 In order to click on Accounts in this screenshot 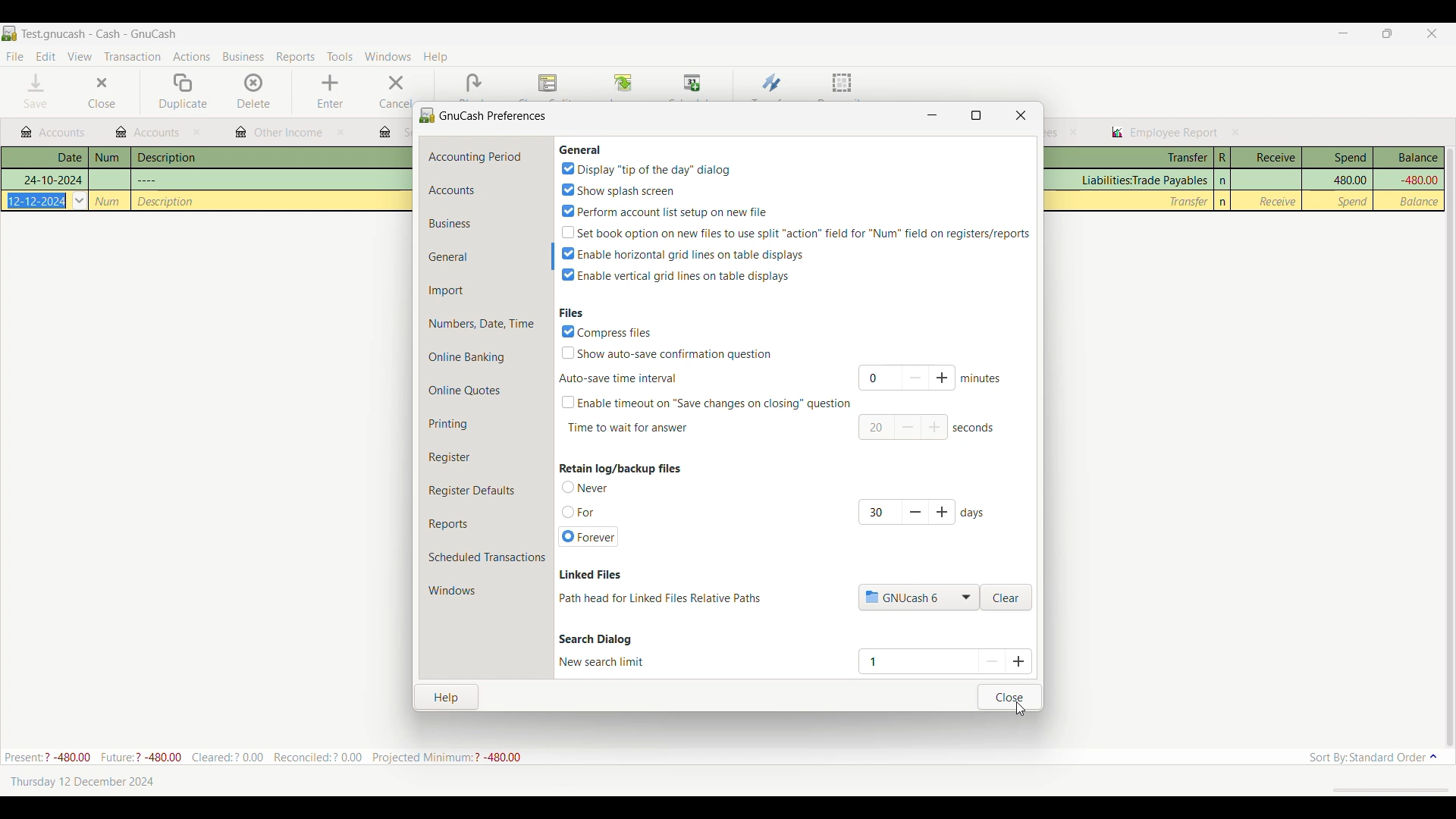, I will do `click(487, 190)`.